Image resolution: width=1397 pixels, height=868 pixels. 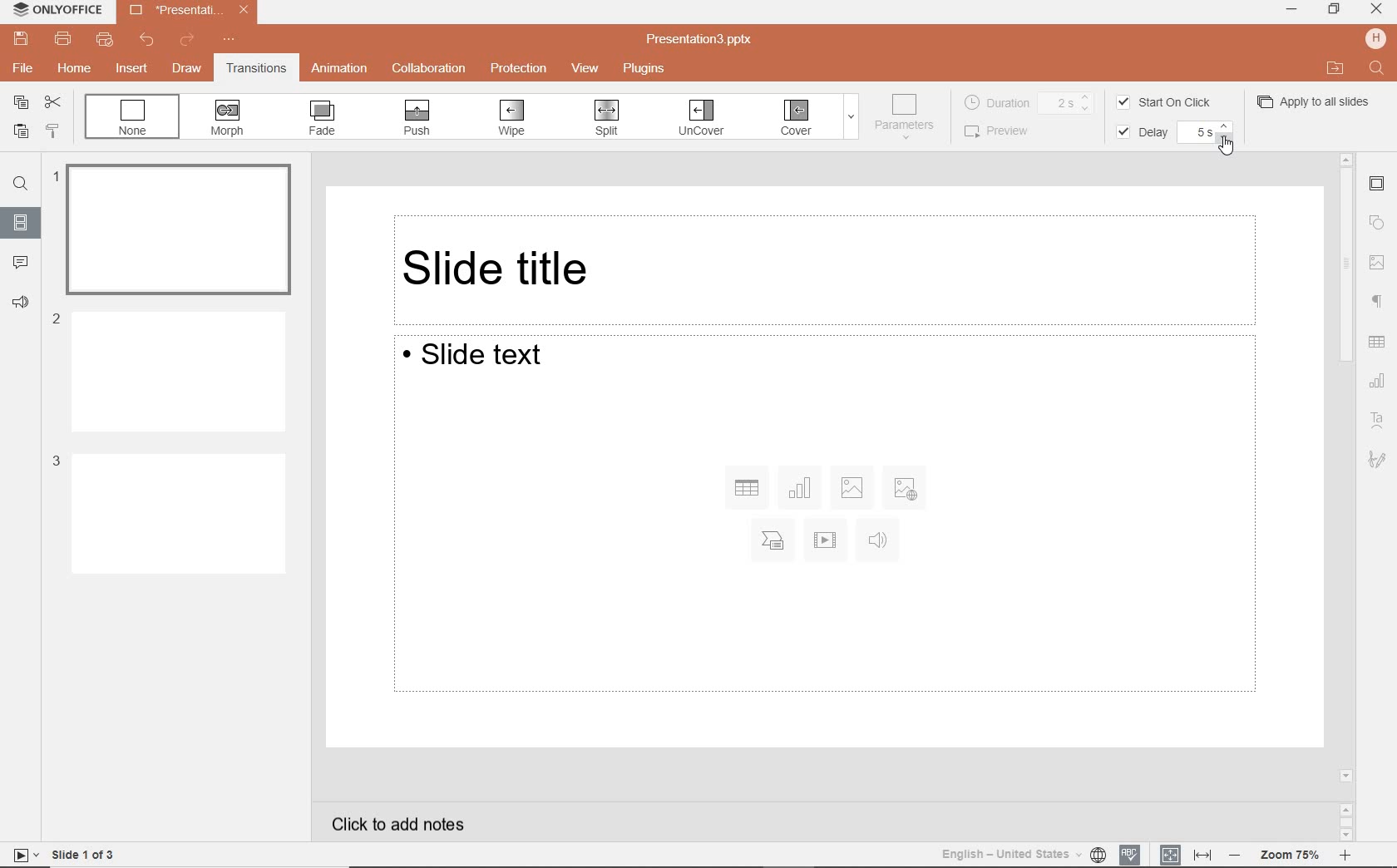 I want to click on find, so click(x=21, y=186).